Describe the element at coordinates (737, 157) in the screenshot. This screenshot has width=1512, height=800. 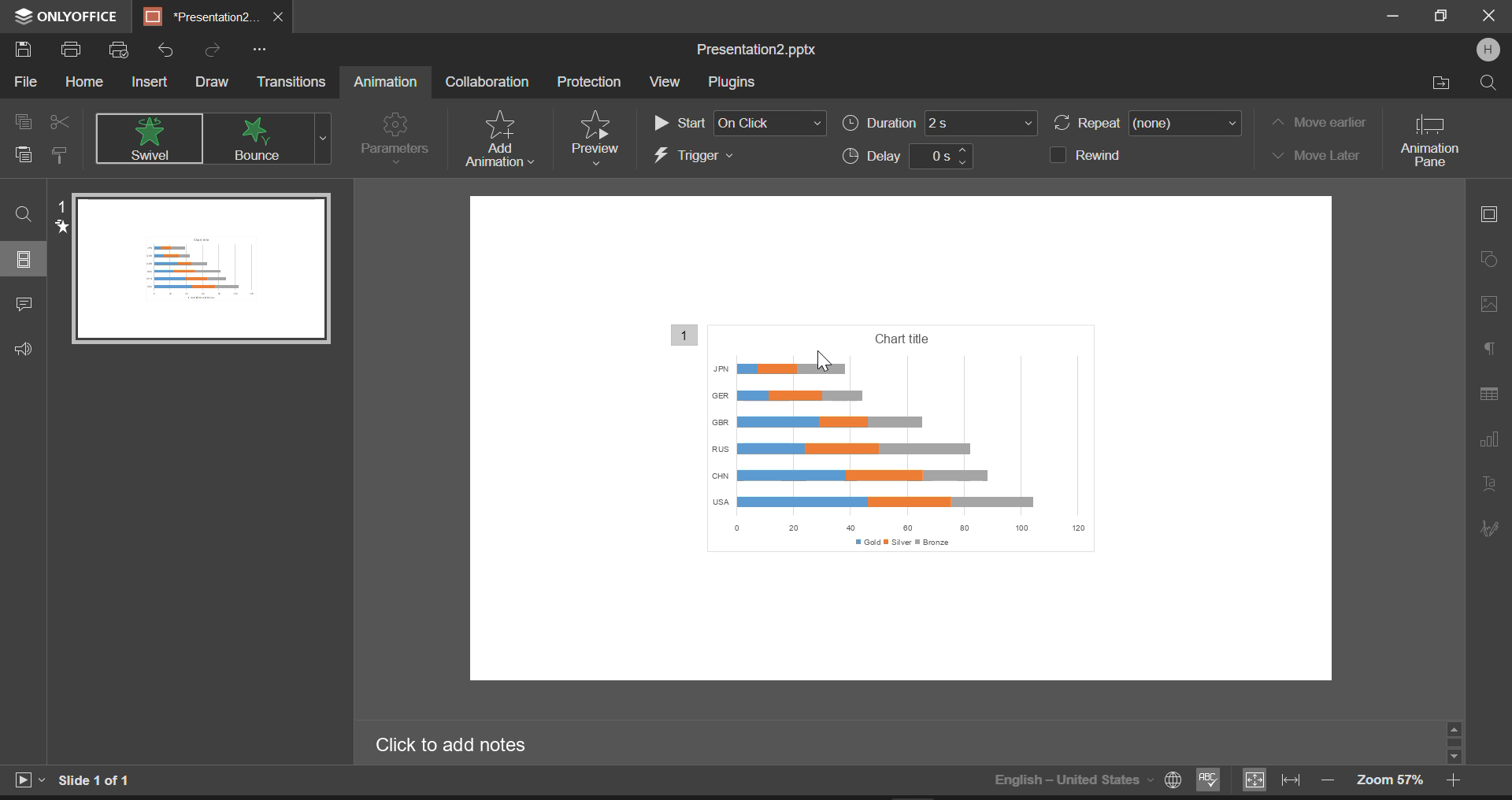
I see `Trigger` at that location.